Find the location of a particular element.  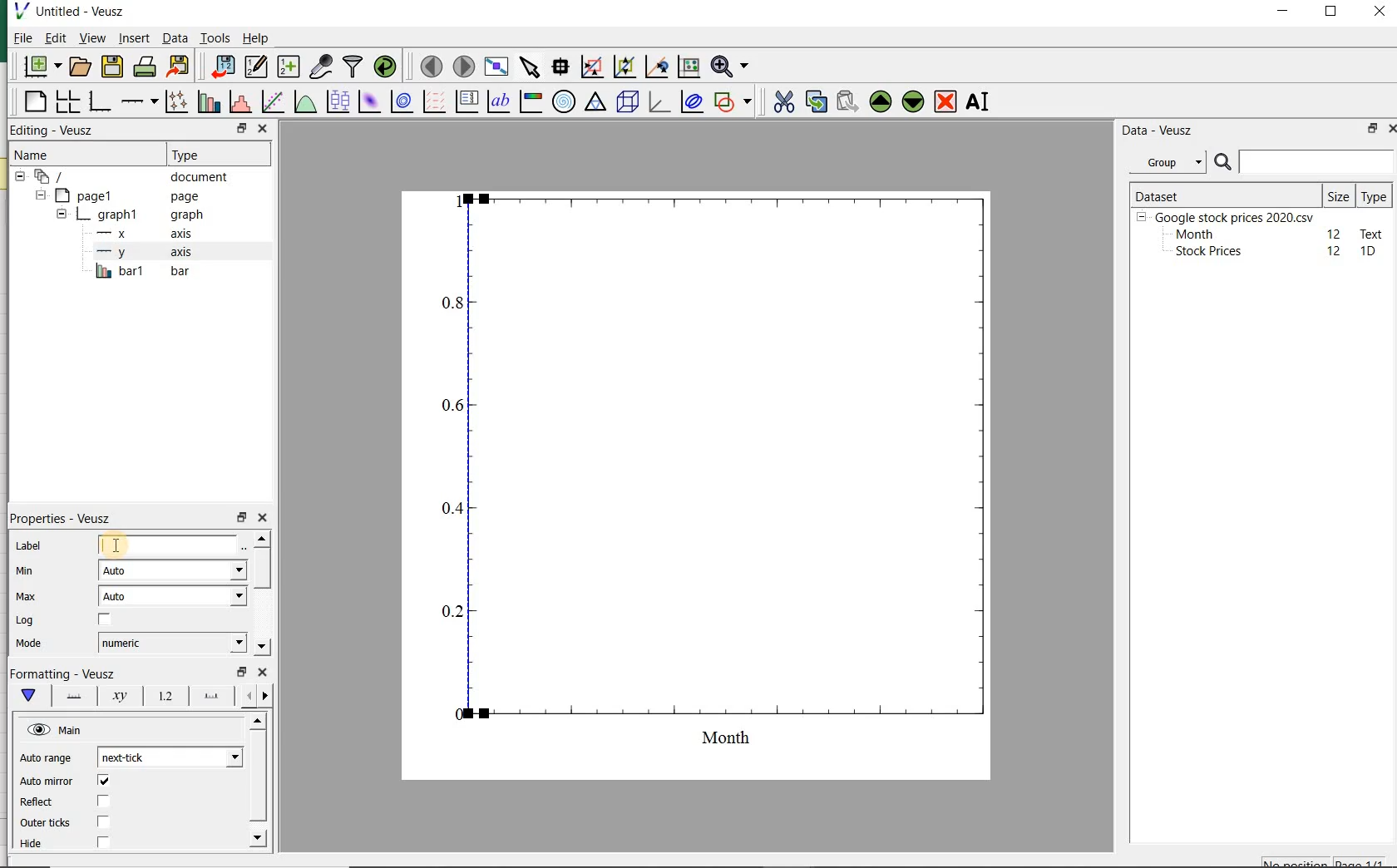

check/uncheck is located at coordinates (104, 622).